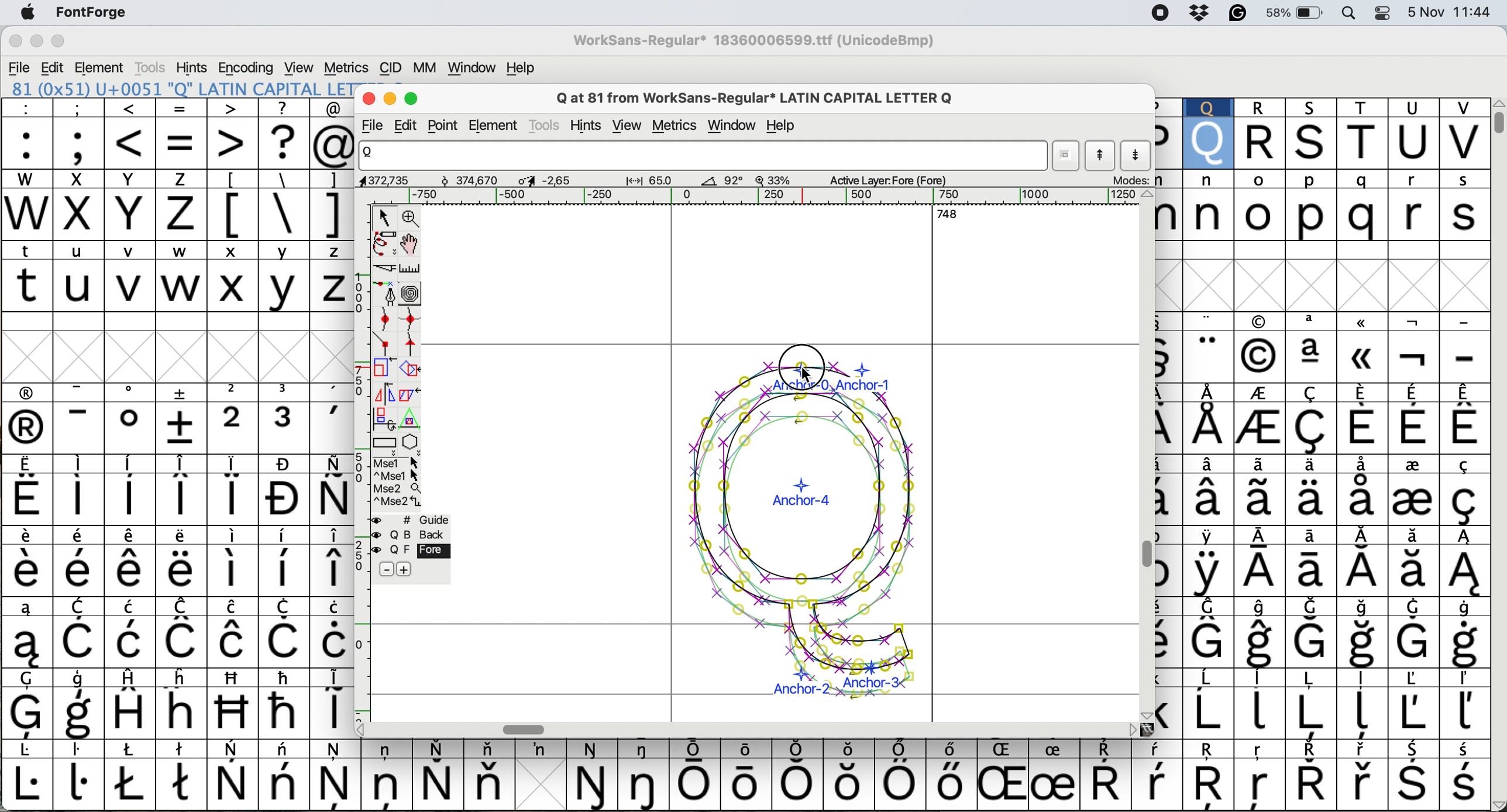  What do you see at coordinates (102, 68) in the screenshot?
I see `element` at bounding box center [102, 68].